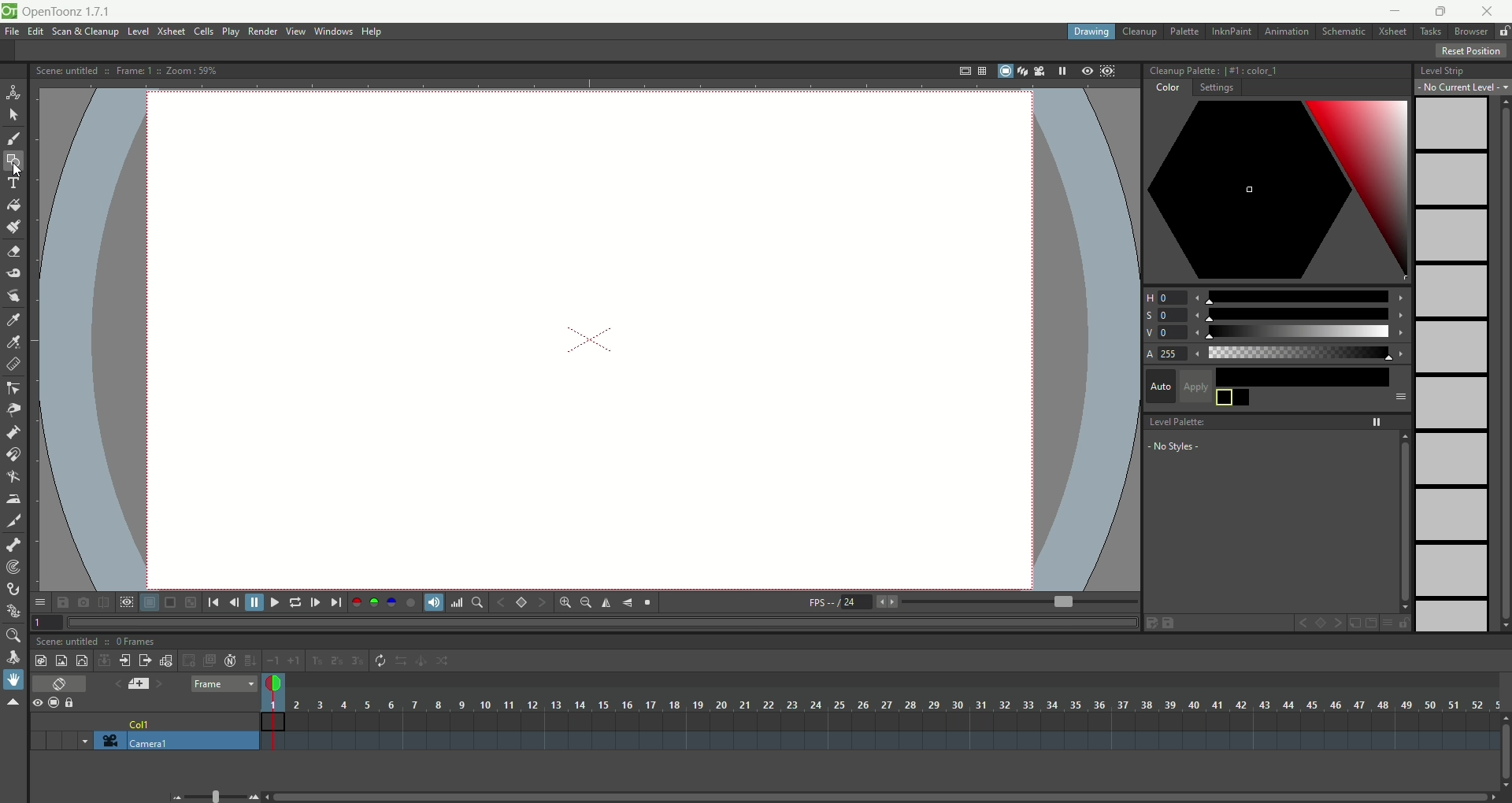  Describe the element at coordinates (1092, 32) in the screenshot. I see `drawing` at that location.